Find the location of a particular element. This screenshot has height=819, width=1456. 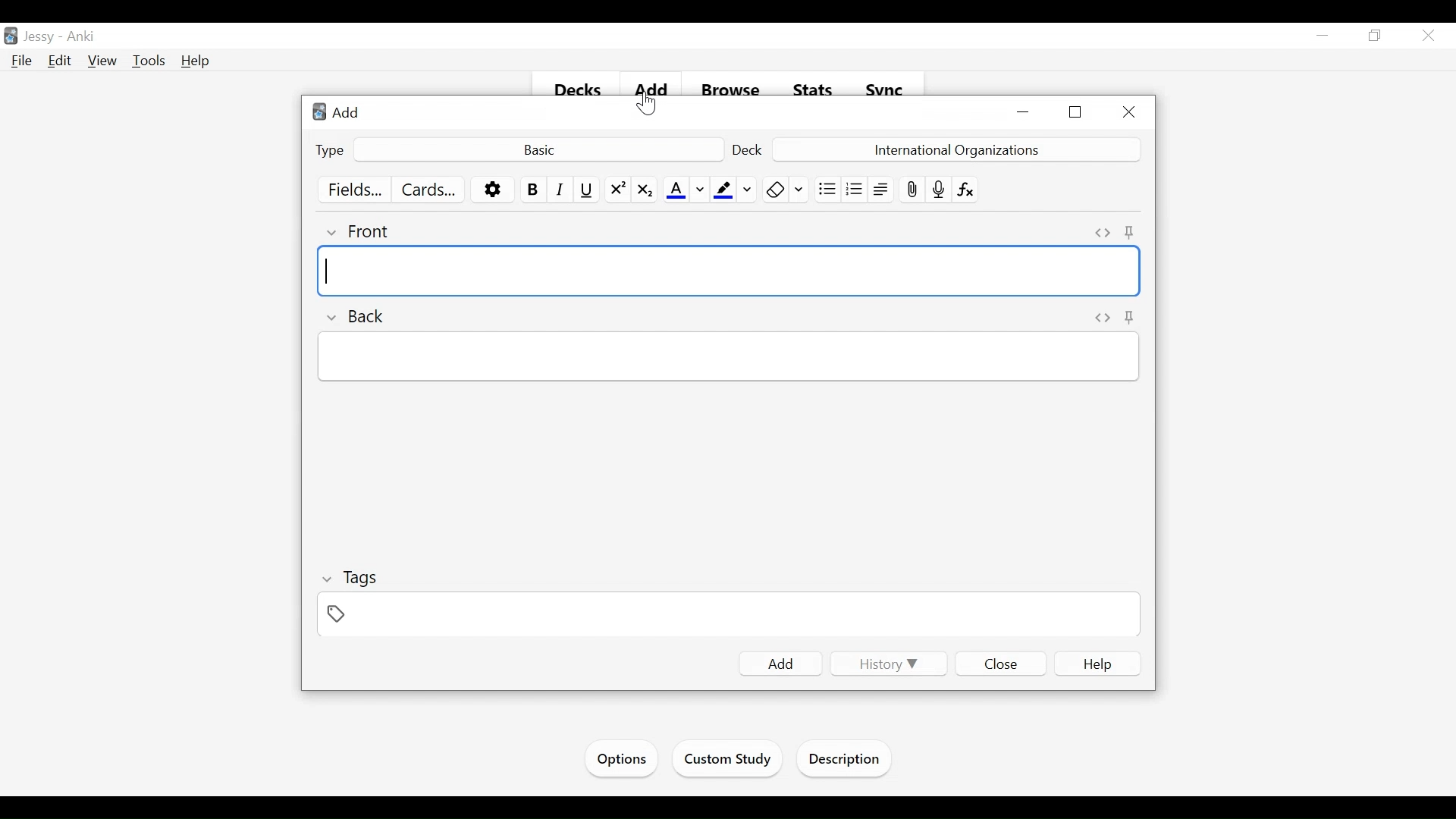

Subscript is located at coordinates (645, 190).